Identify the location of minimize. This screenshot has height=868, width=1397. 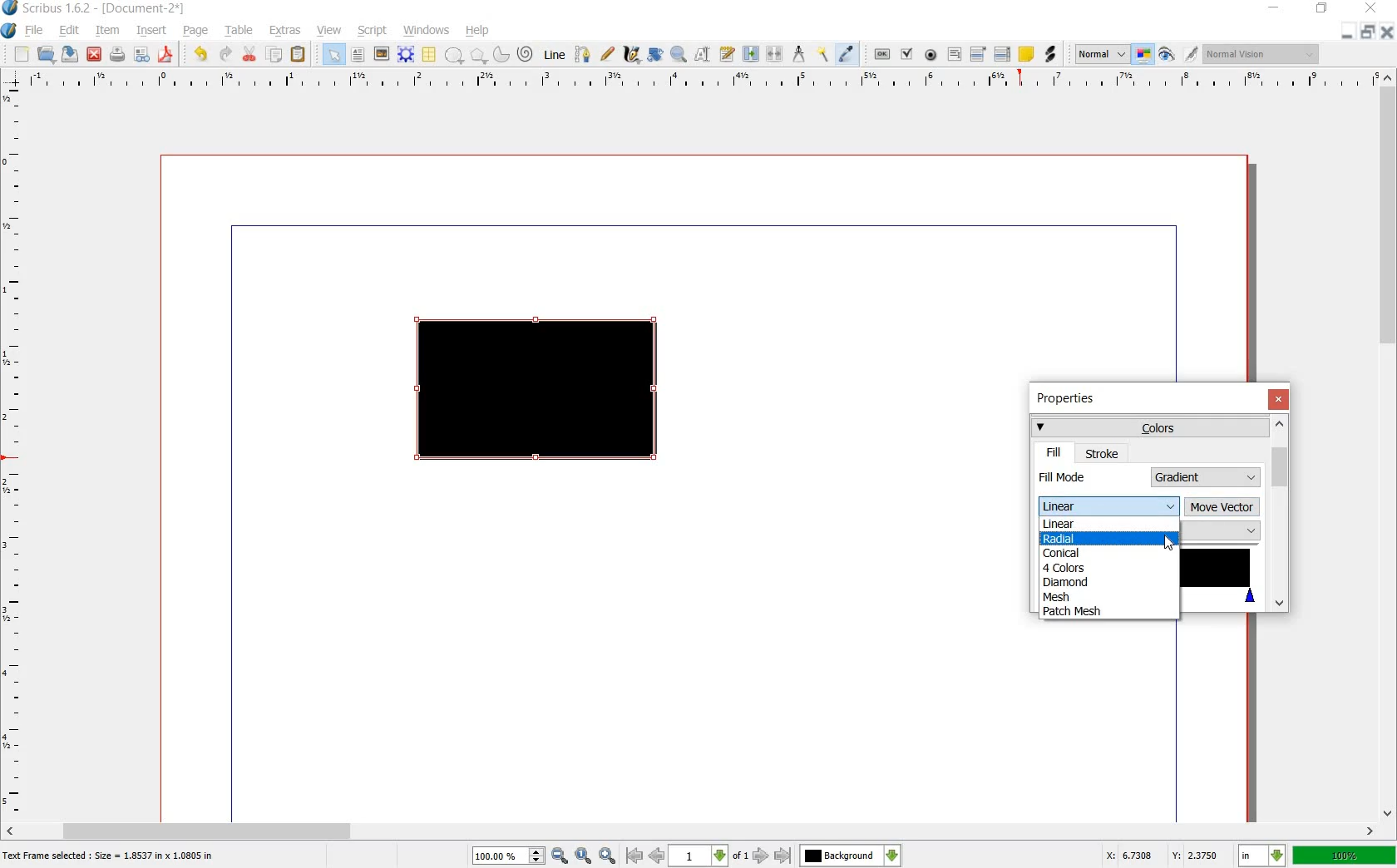
(1275, 8).